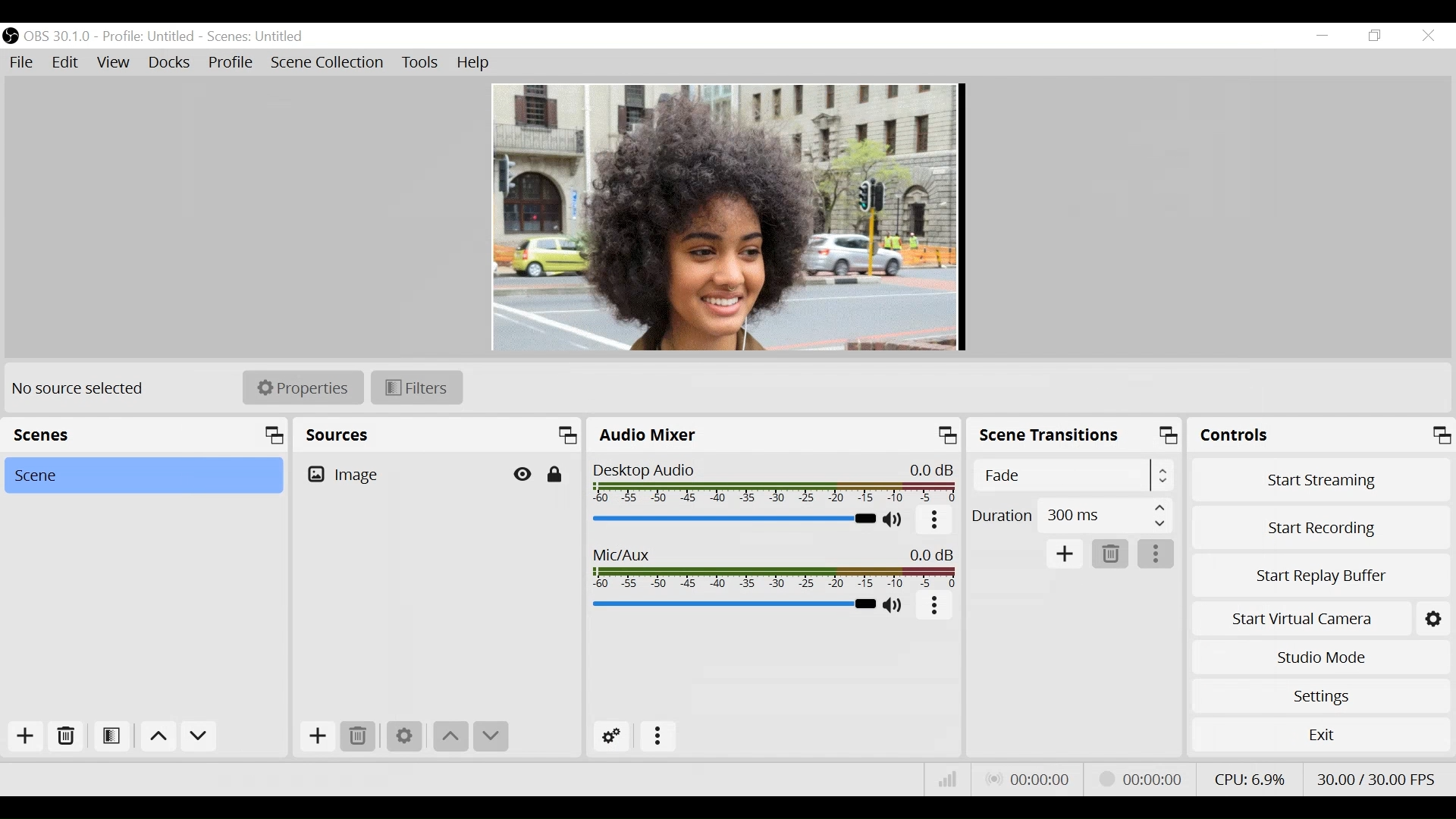 This screenshot has width=1456, height=819. Describe the element at coordinates (66, 63) in the screenshot. I see `Edit` at that location.